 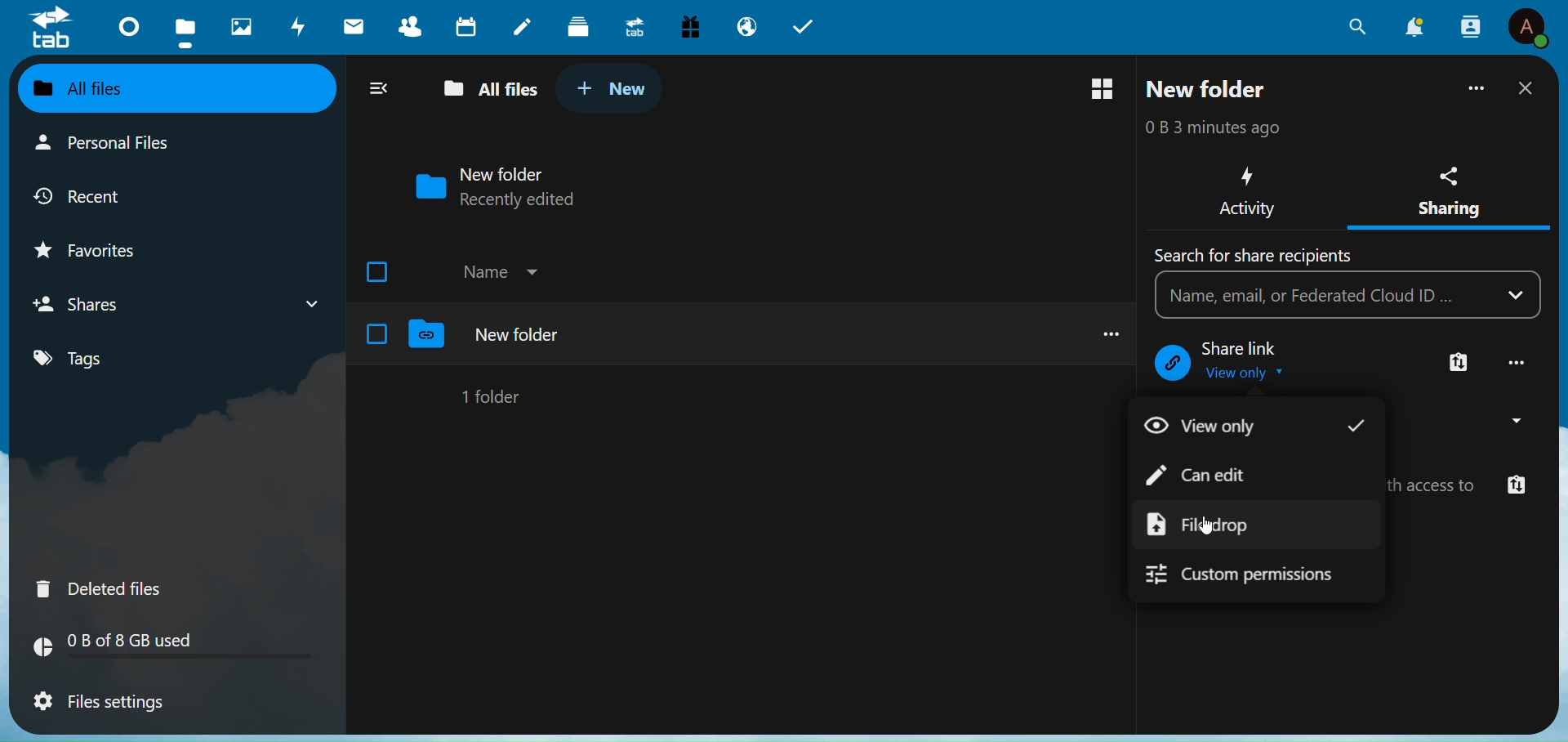 What do you see at coordinates (305, 301) in the screenshot?
I see `Shares drop down` at bounding box center [305, 301].